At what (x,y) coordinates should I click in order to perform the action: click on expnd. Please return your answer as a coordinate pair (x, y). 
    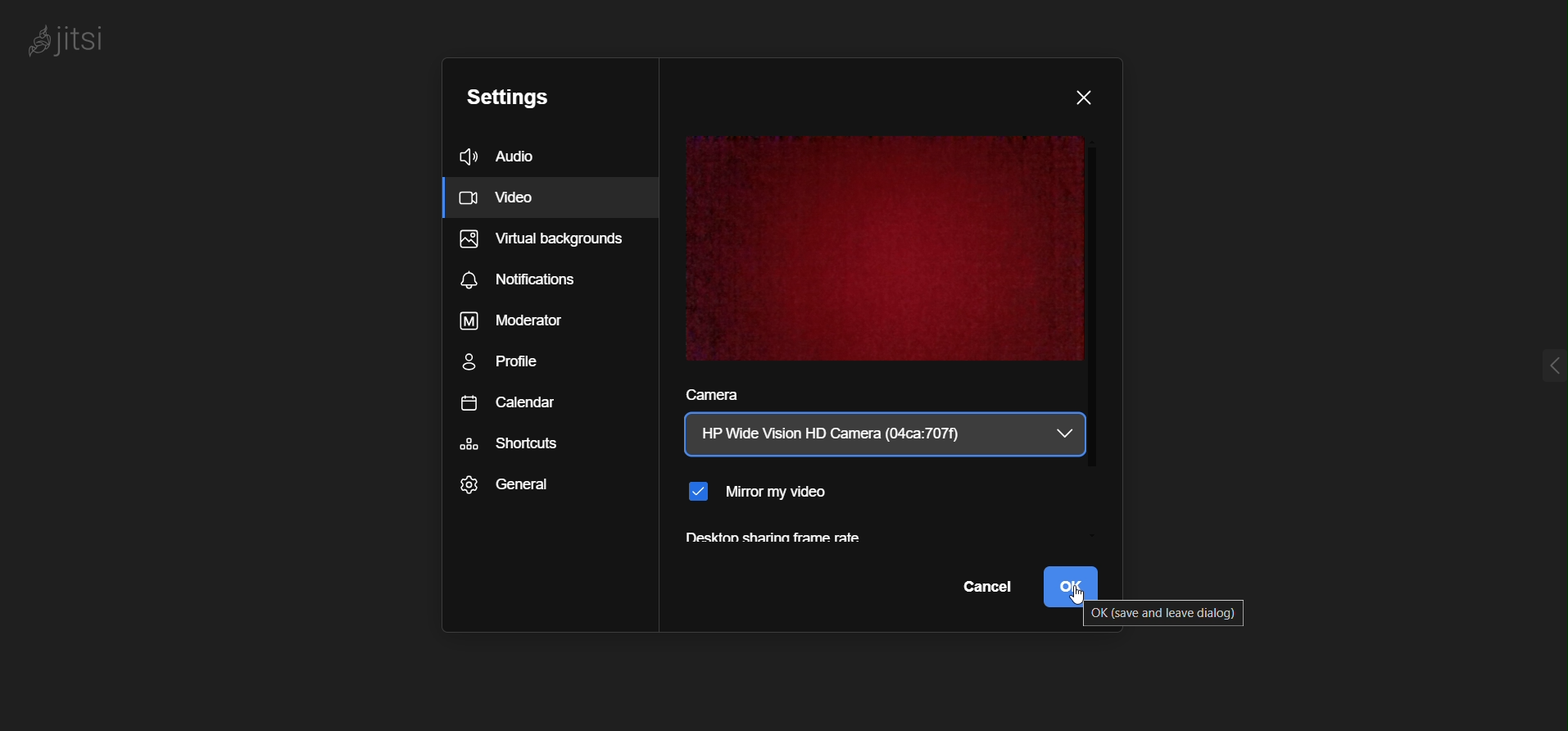
    Looking at the image, I should click on (1533, 363).